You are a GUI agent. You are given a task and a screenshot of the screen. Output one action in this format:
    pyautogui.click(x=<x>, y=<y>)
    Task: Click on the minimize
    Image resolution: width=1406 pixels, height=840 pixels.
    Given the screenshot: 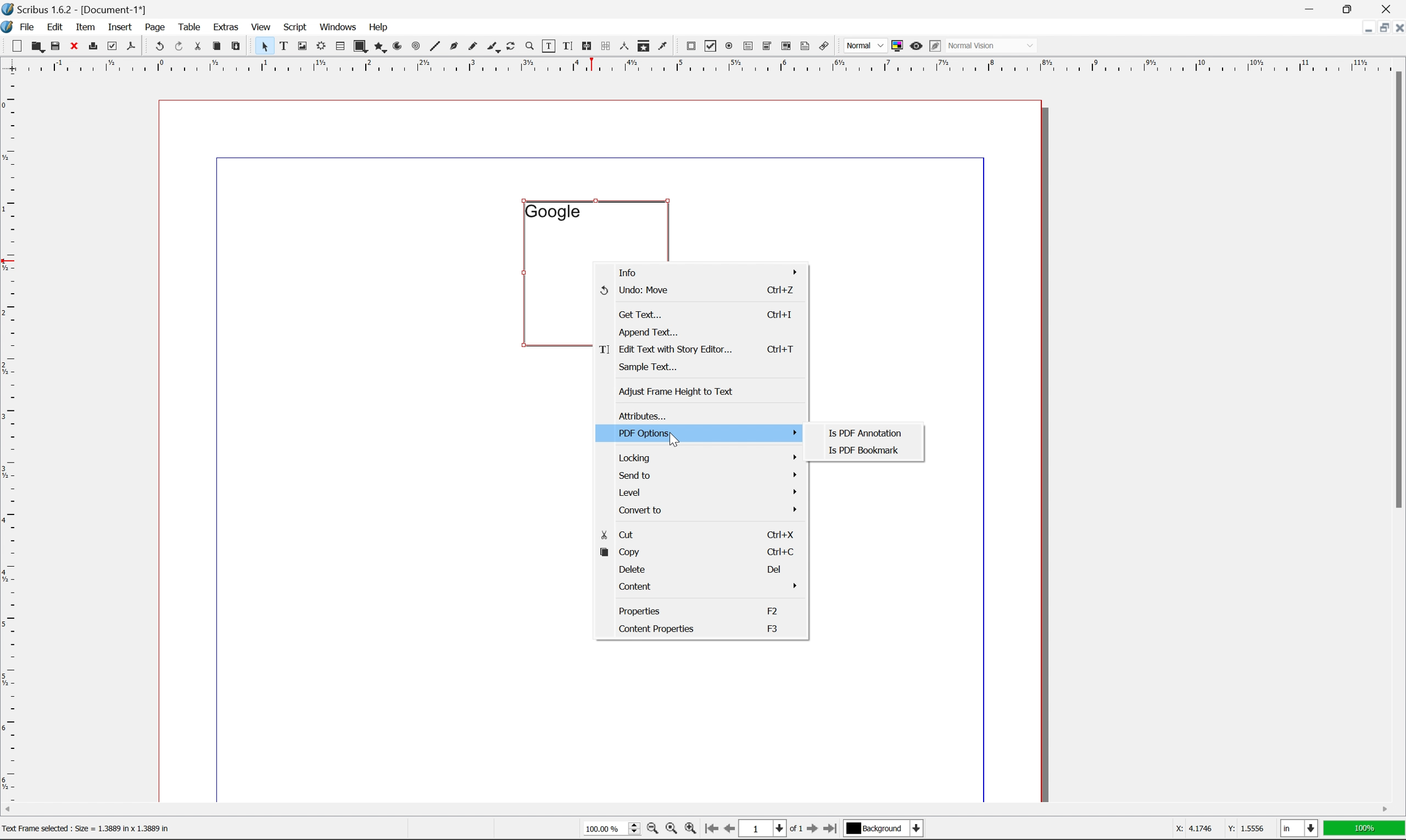 What is the action you would take?
    pyautogui.click(x=1311, y=8)
    